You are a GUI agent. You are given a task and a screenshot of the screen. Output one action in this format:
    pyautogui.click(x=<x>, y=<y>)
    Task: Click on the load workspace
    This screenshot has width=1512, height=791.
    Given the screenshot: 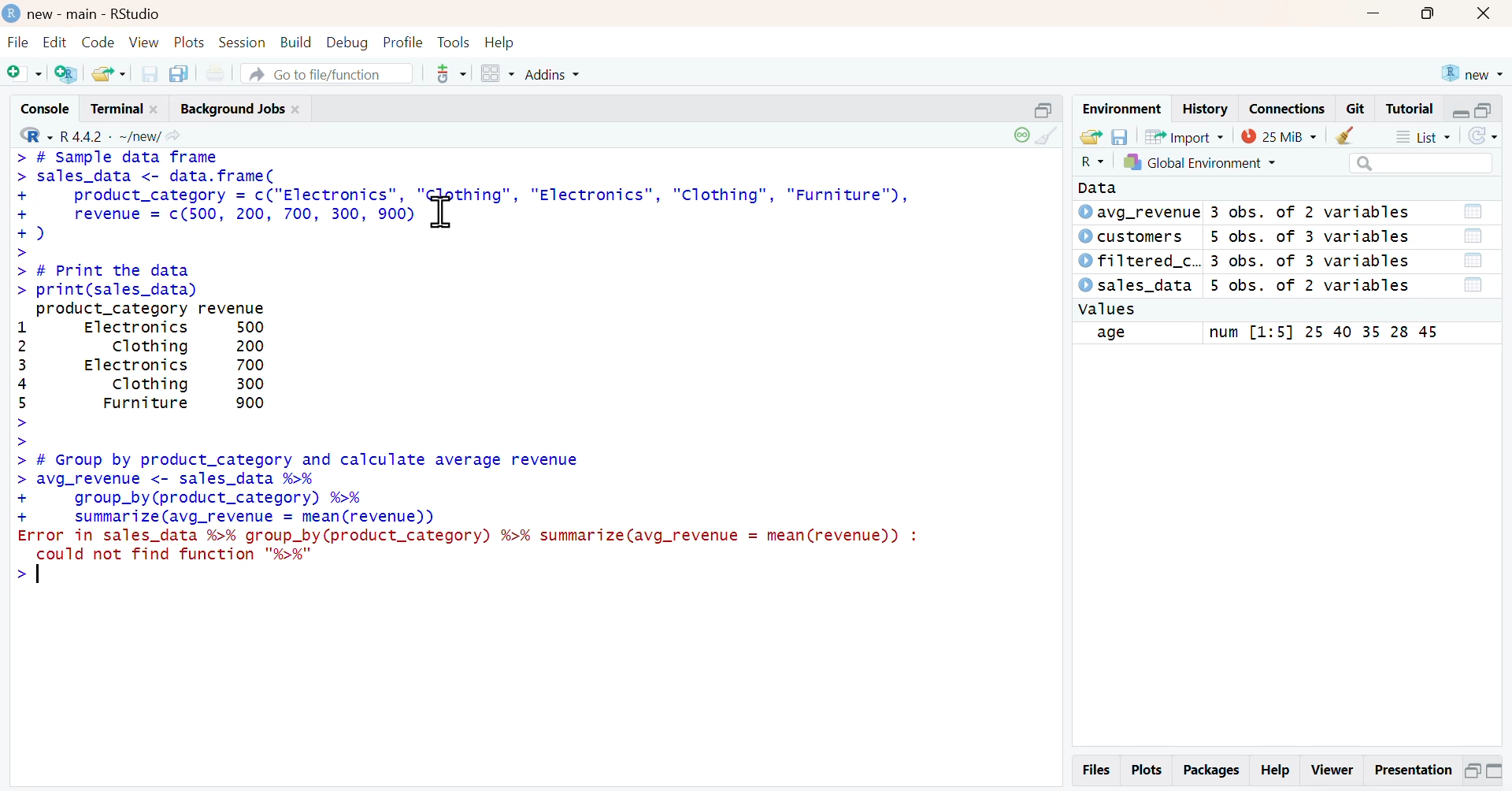 What is the action you would take?
    pyautogui.click(x=1091, y=137)
    